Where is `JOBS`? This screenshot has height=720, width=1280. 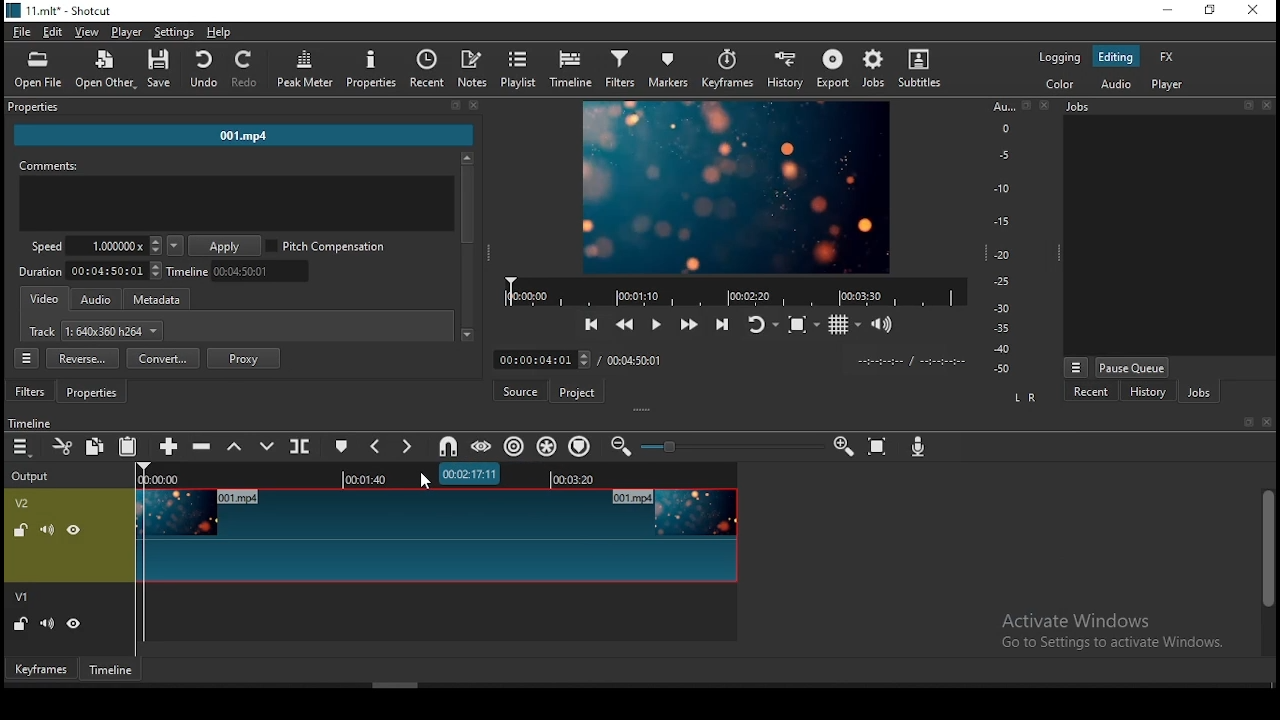 JOBS is located at coordinates (1166, 107).